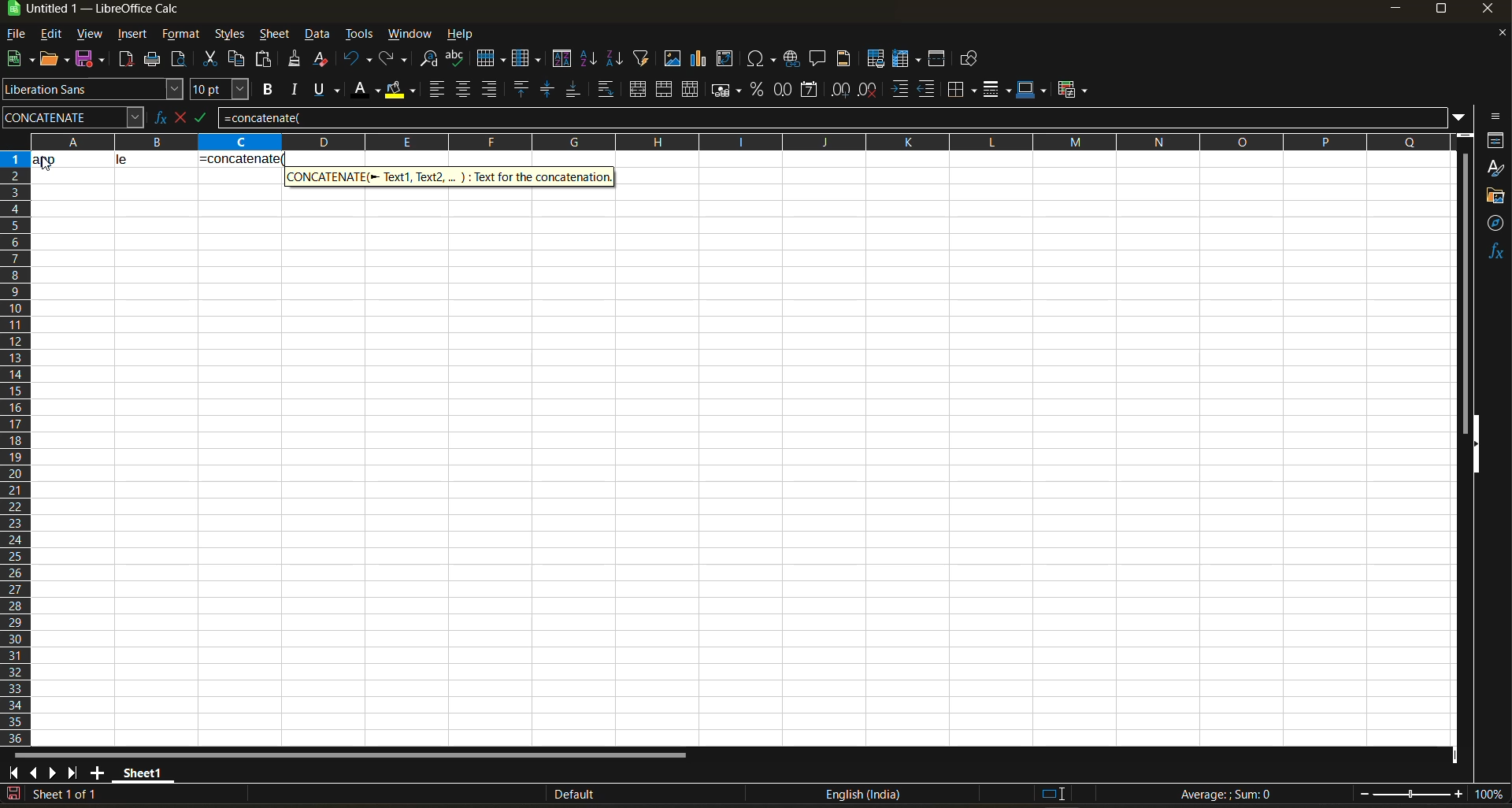 Image resolution: width=1512 pixels, height=808 pixels. What do you see at coordinates (319, 35) in the screenshot?
I see `data` at bounding box center [319, 35].